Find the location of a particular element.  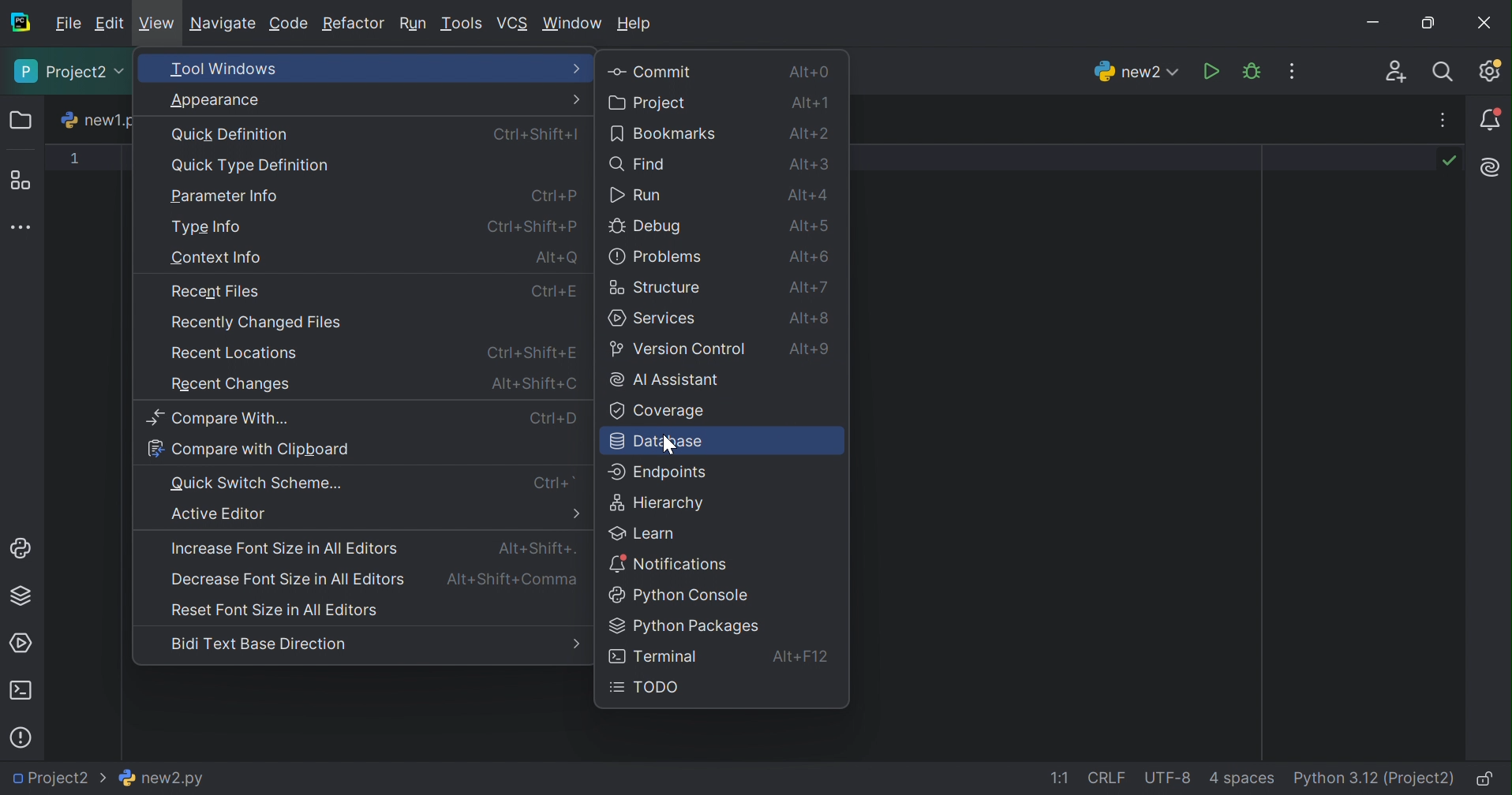

Alt+4 is located at coordinates (805, 194).